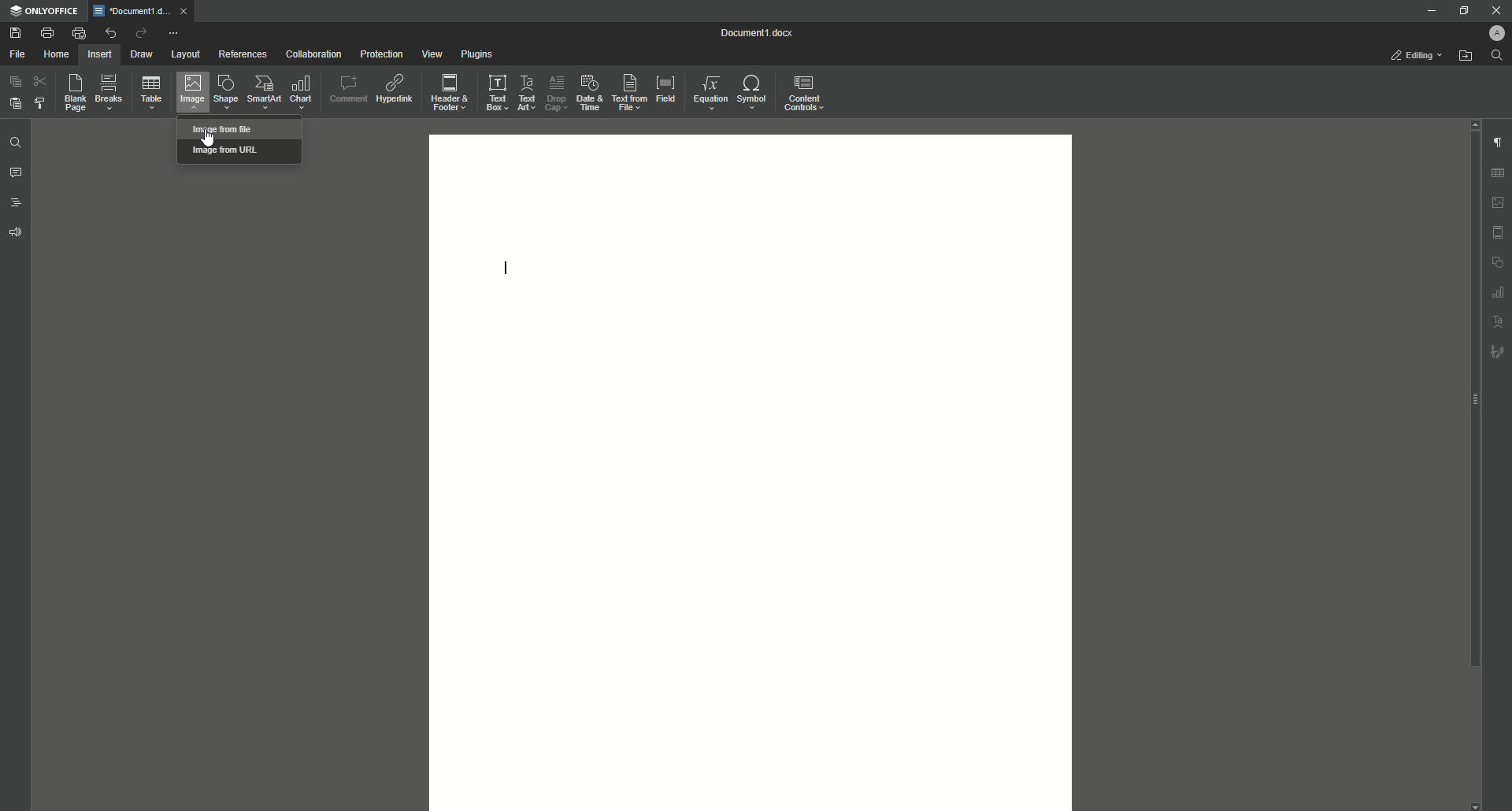 The width and height of the screenshot is (1512, 811). What do you see at coordinates (377, 54) in the screenshot?
I see `Protection` at bounding box center [377, 54].